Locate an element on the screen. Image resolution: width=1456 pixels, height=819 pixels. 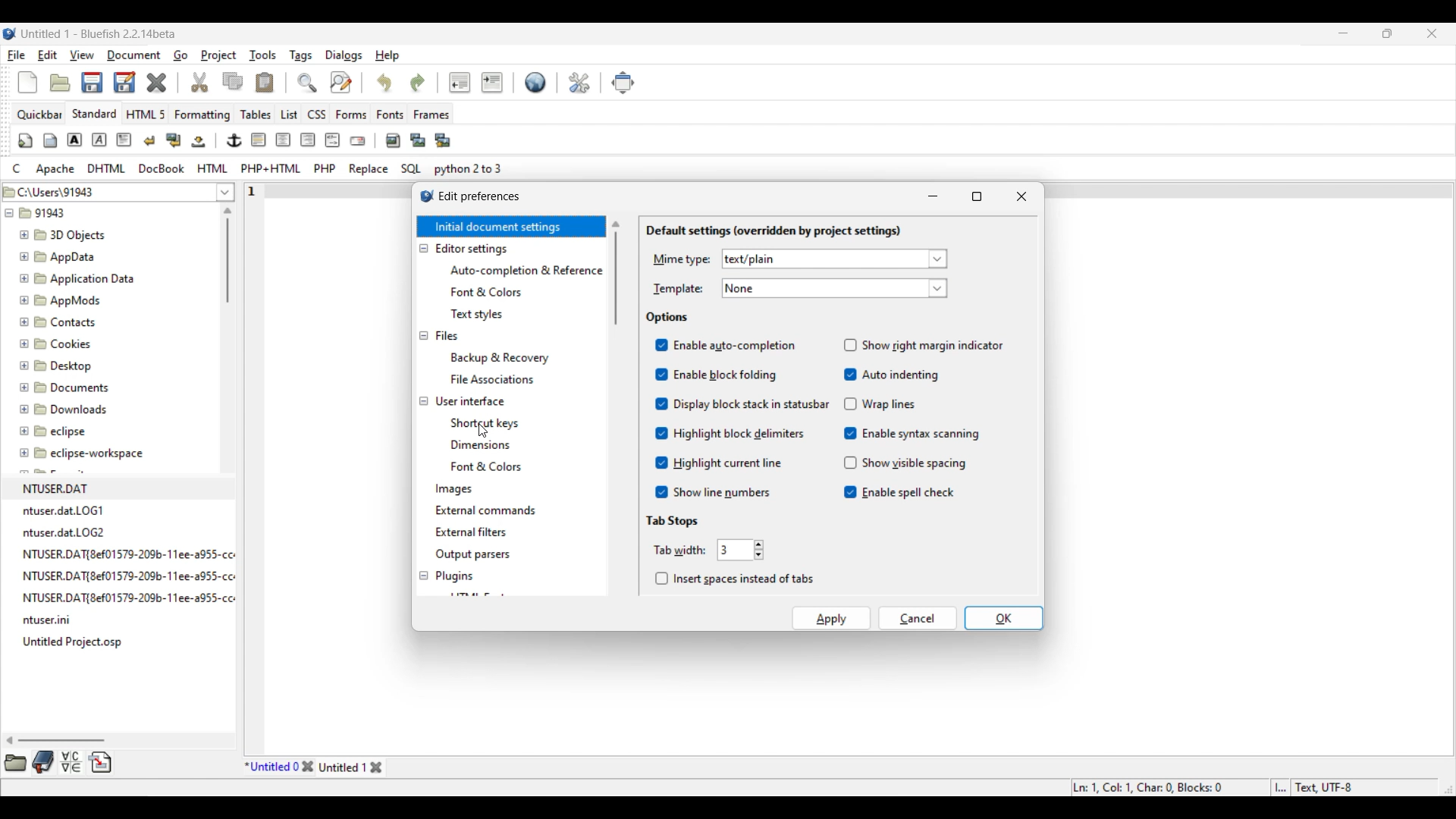
OK is located at coordinates (1004, 618).